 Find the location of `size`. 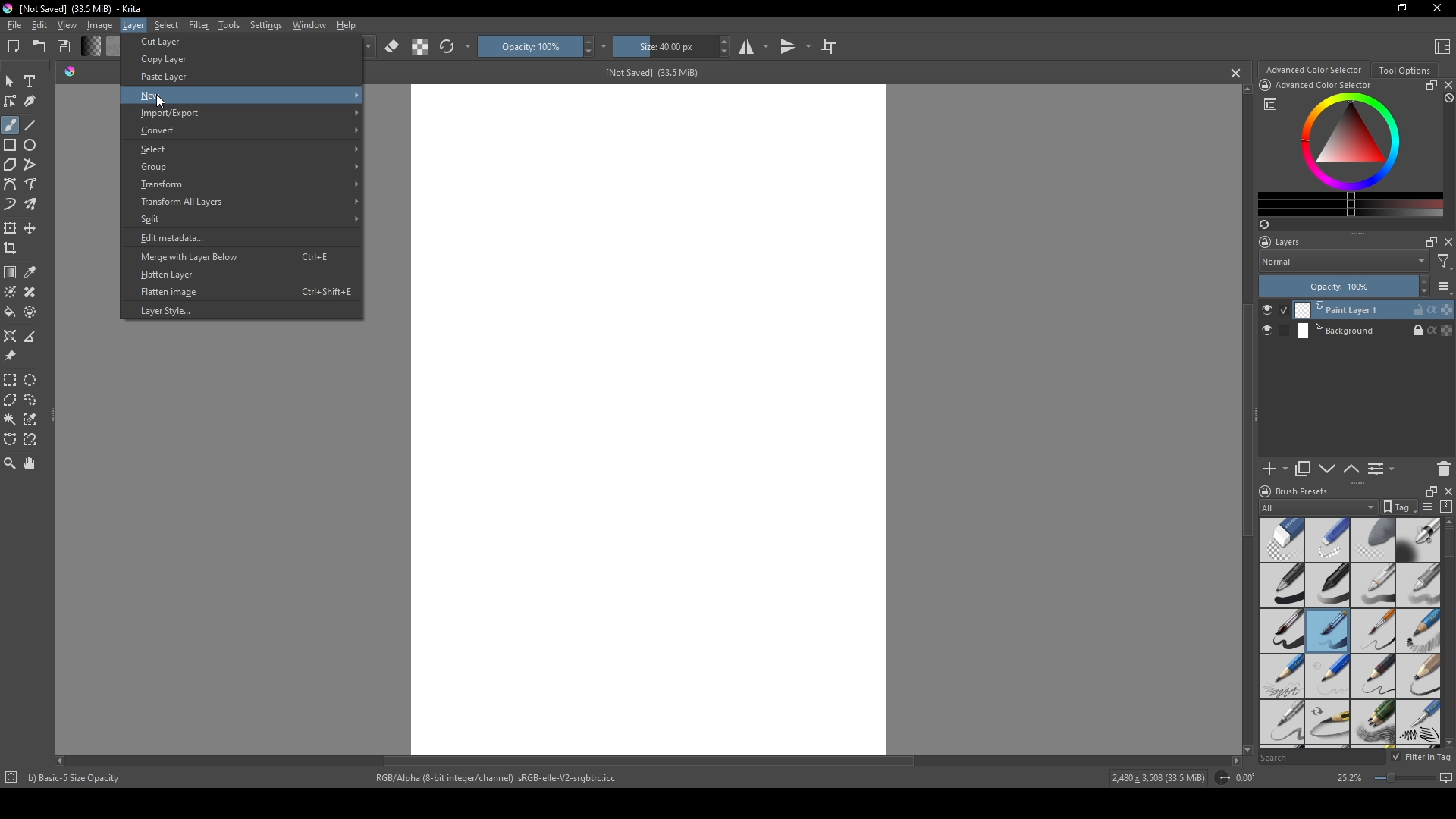

size is located at coordinates (664, 46).